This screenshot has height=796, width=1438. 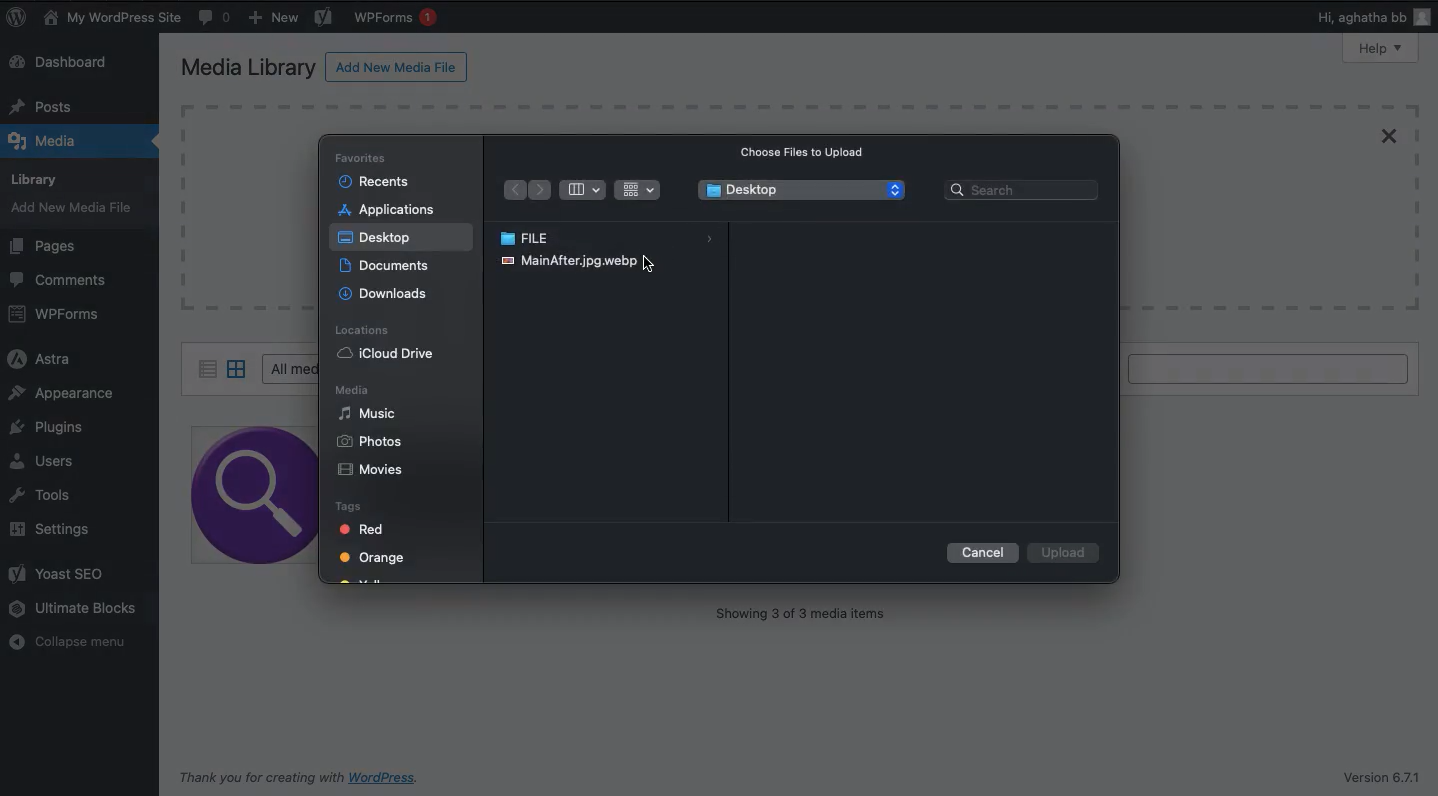 What do you see at coordinates (42, 176) in the screenshot?
I see `Library` at bounding box center [42, 176].